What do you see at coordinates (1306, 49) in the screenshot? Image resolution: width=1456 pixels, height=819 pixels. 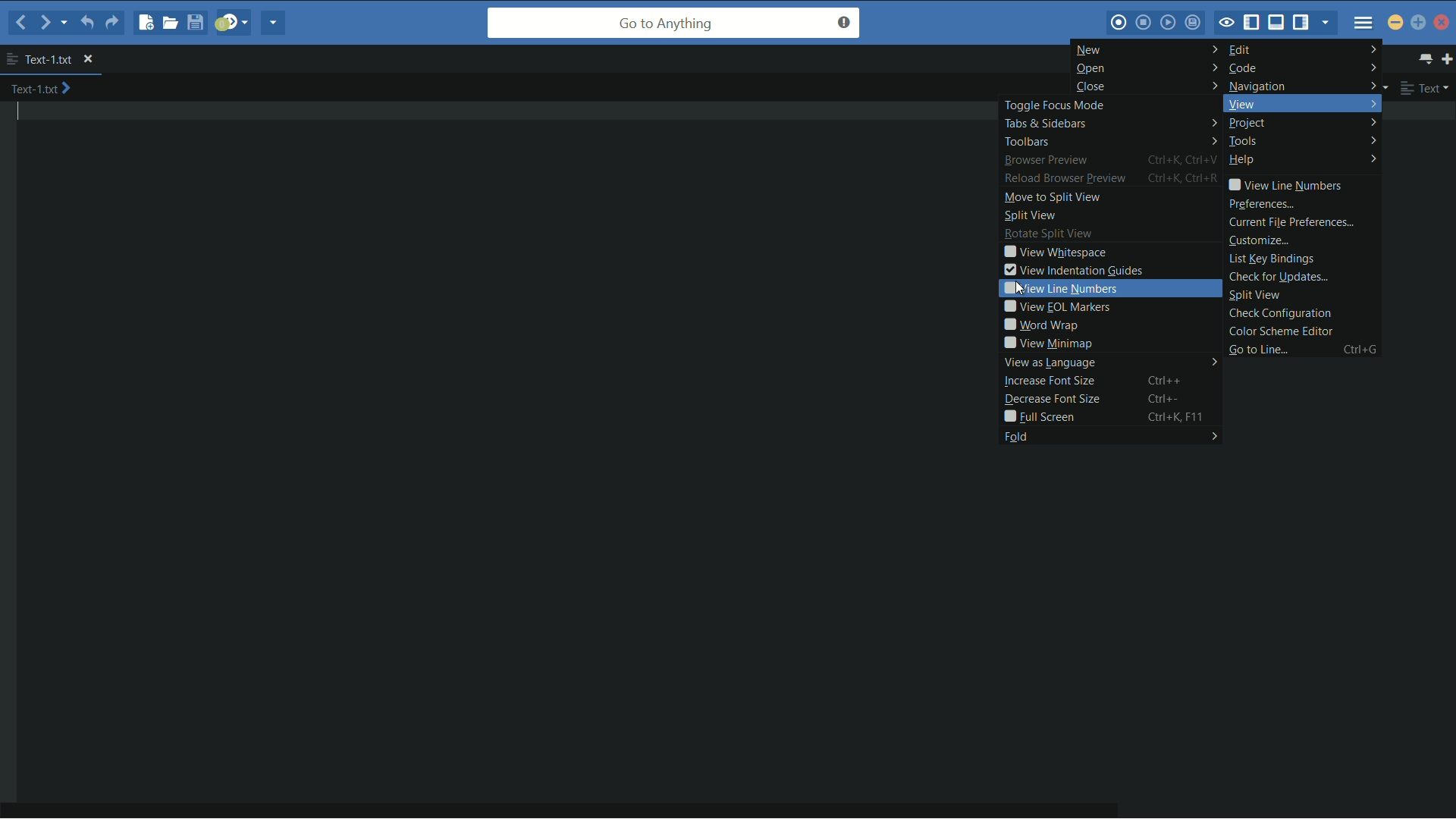 I see `edit` at bounding box center [1306, 49].